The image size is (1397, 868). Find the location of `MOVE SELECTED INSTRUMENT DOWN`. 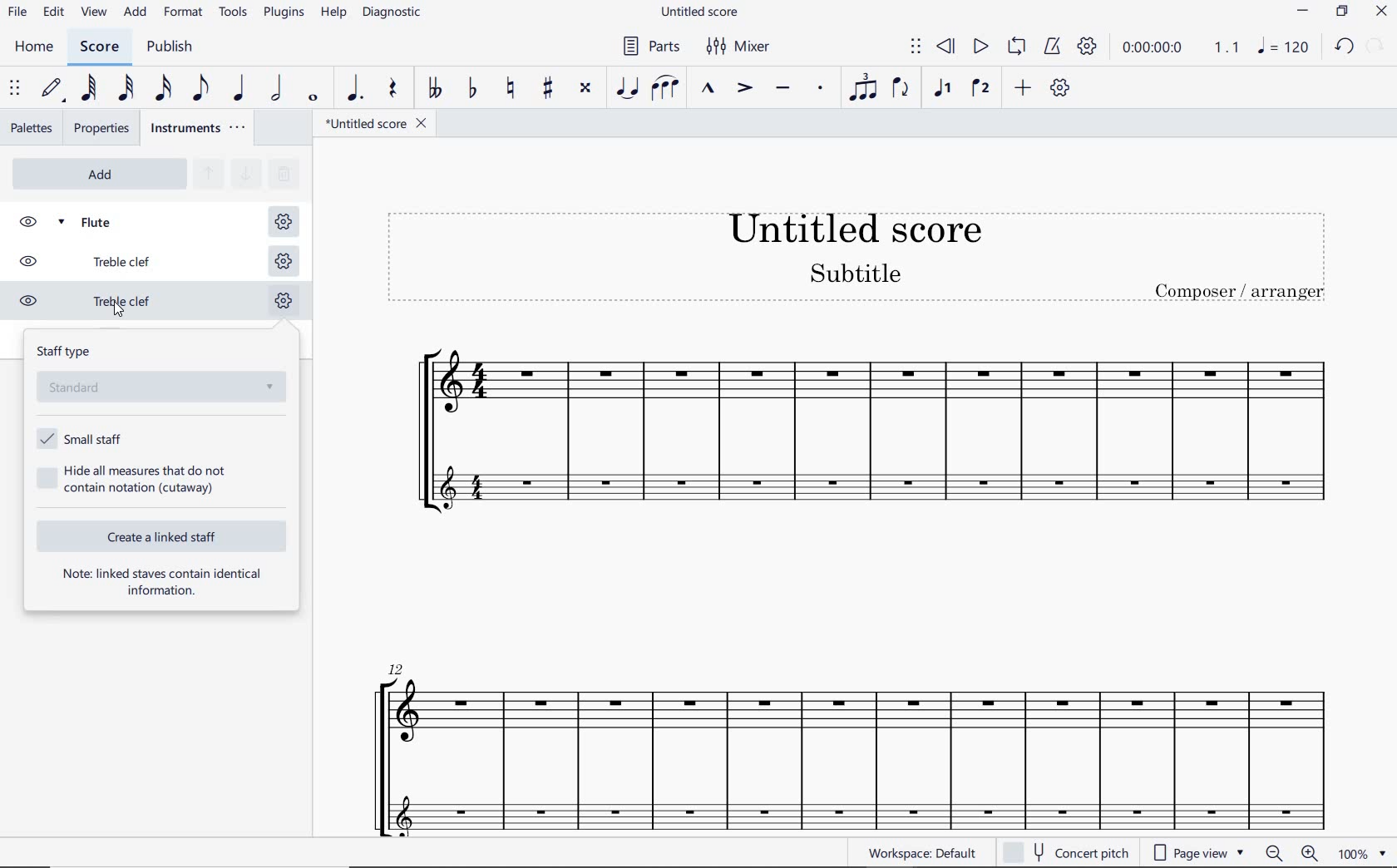

MOVE SELECTED INSTRUMENT DOWN is located at coordinates (244, 172).